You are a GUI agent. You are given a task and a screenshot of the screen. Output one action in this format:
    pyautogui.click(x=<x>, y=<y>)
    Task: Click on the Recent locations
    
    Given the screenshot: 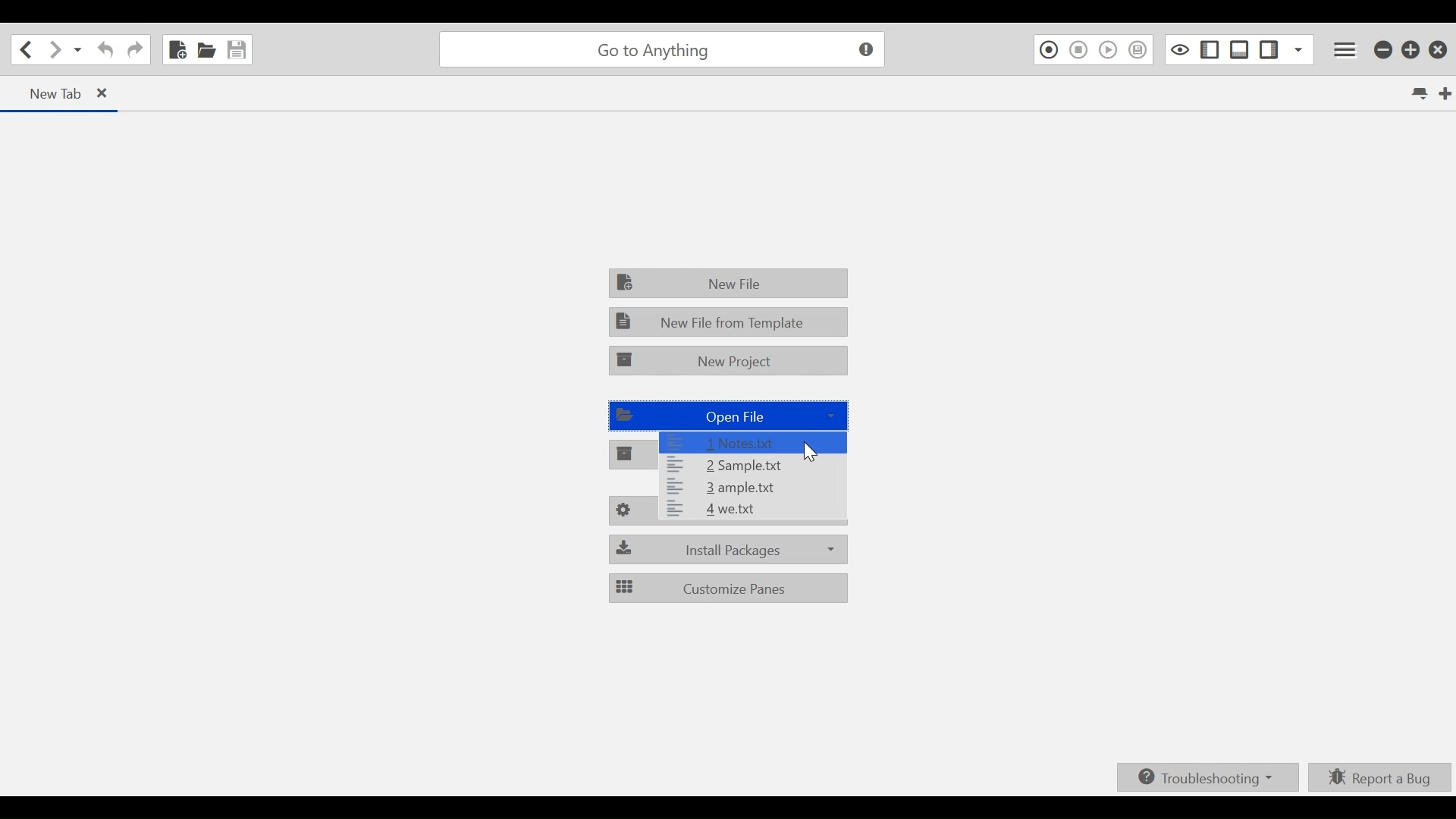 What is the action you would take?
    pyautogui.click(x=78, y=50)
    